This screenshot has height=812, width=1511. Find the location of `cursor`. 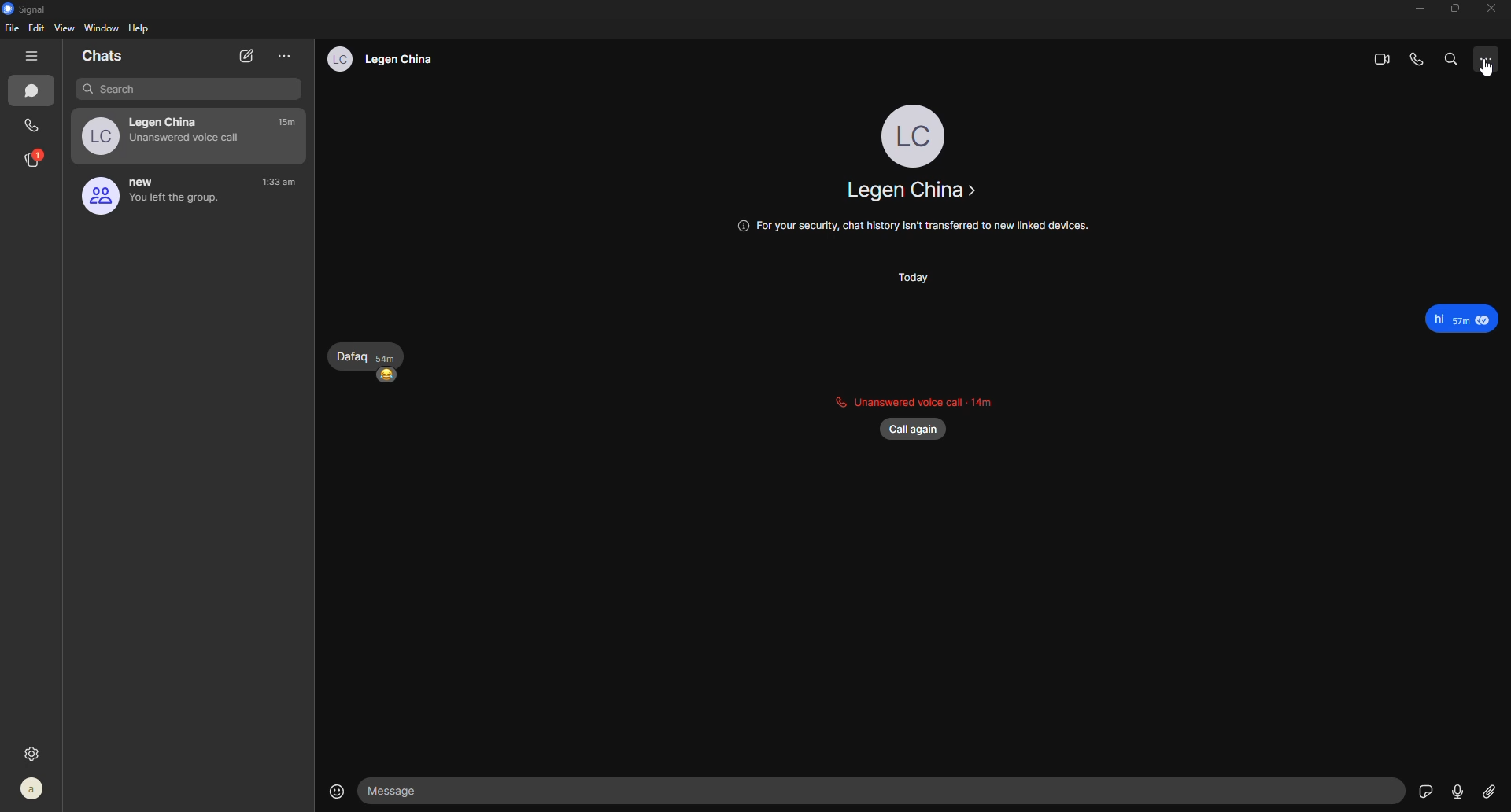

cursor is located at coordinates (1494, 72).